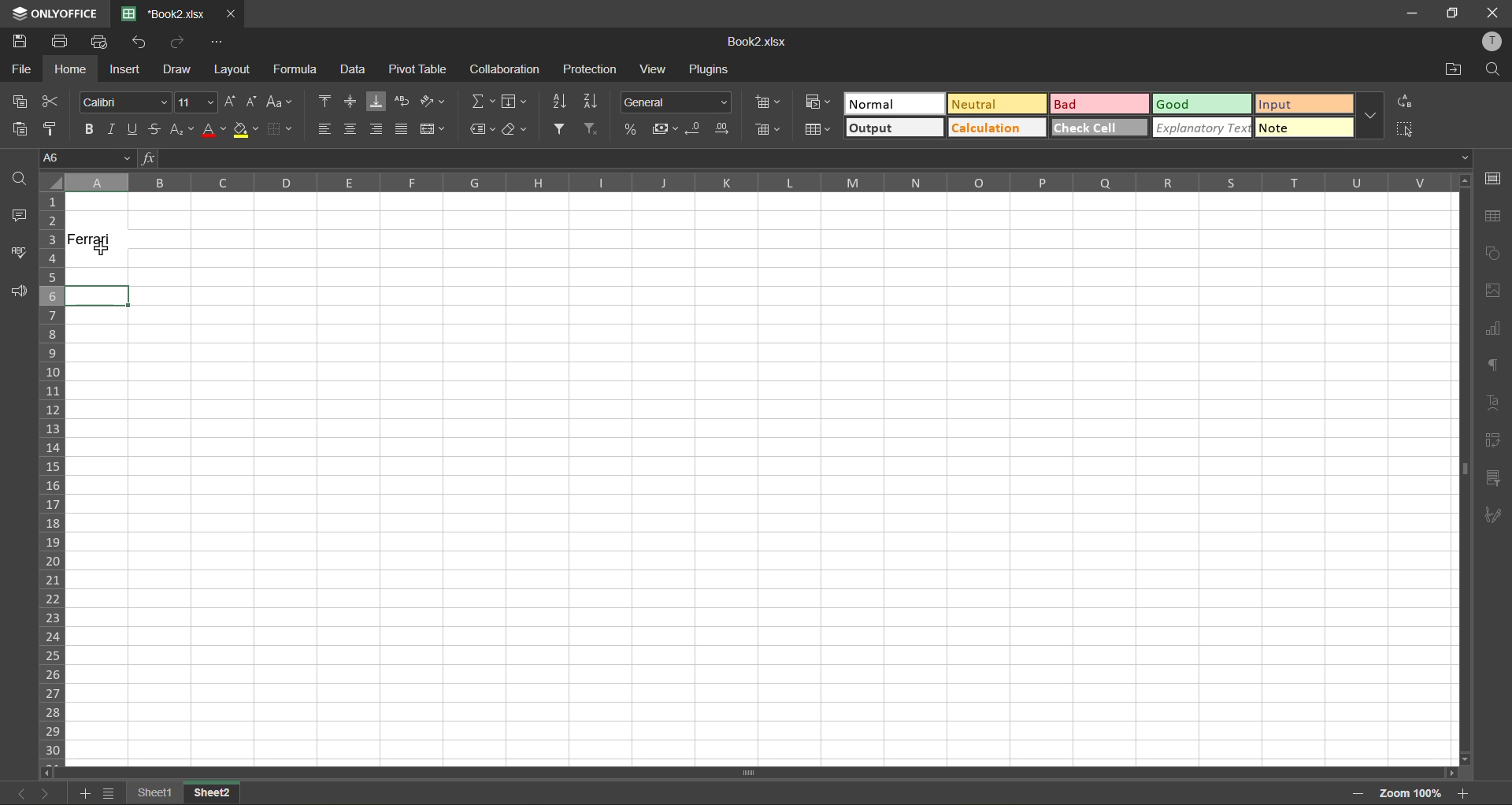  What do you see at coordinates (996, 128) in the screenshot?
I see `calculation` at bounding box center [996, 128].